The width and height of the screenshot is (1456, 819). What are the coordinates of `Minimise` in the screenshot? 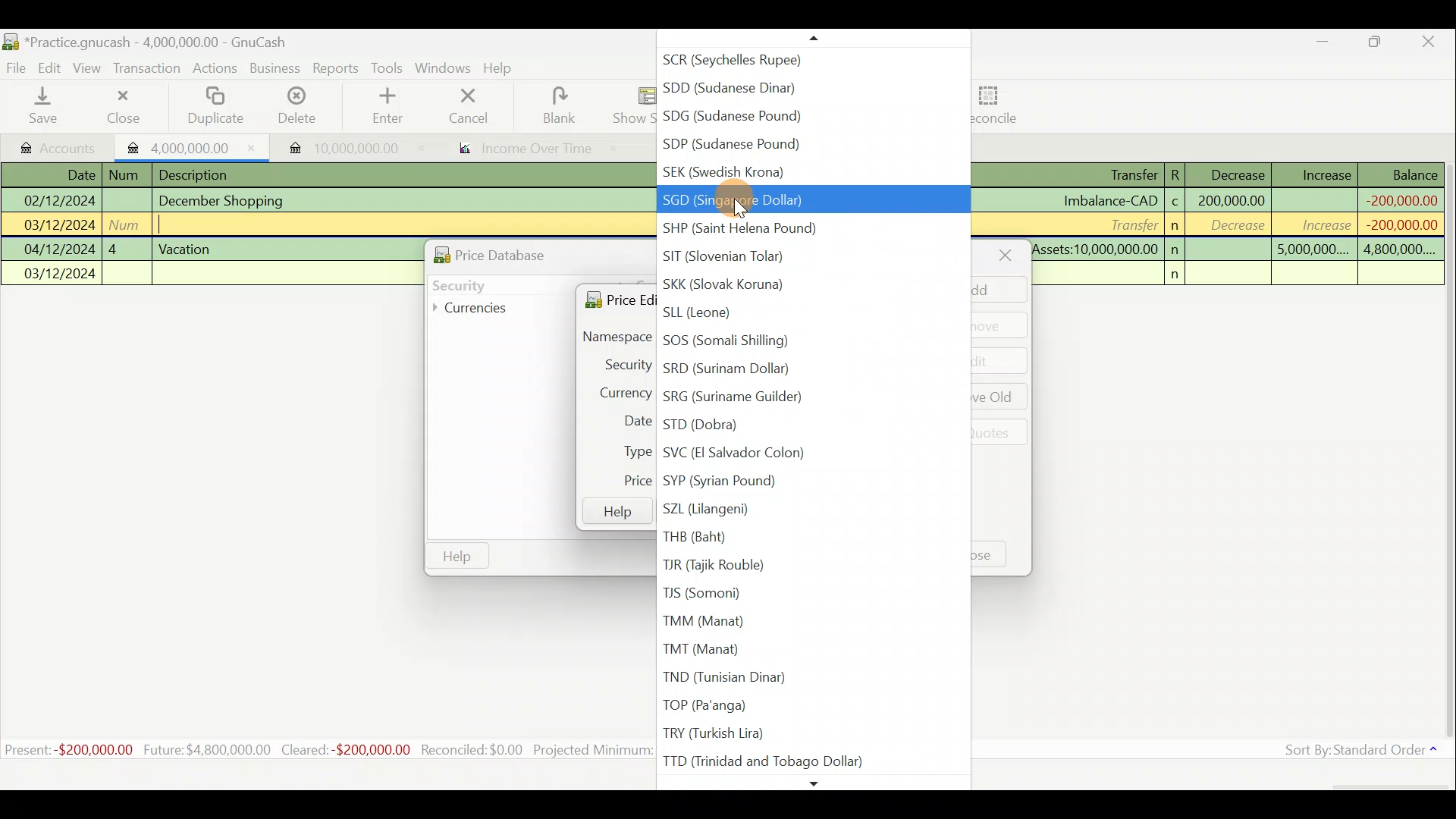 It's located at (1325, 45).